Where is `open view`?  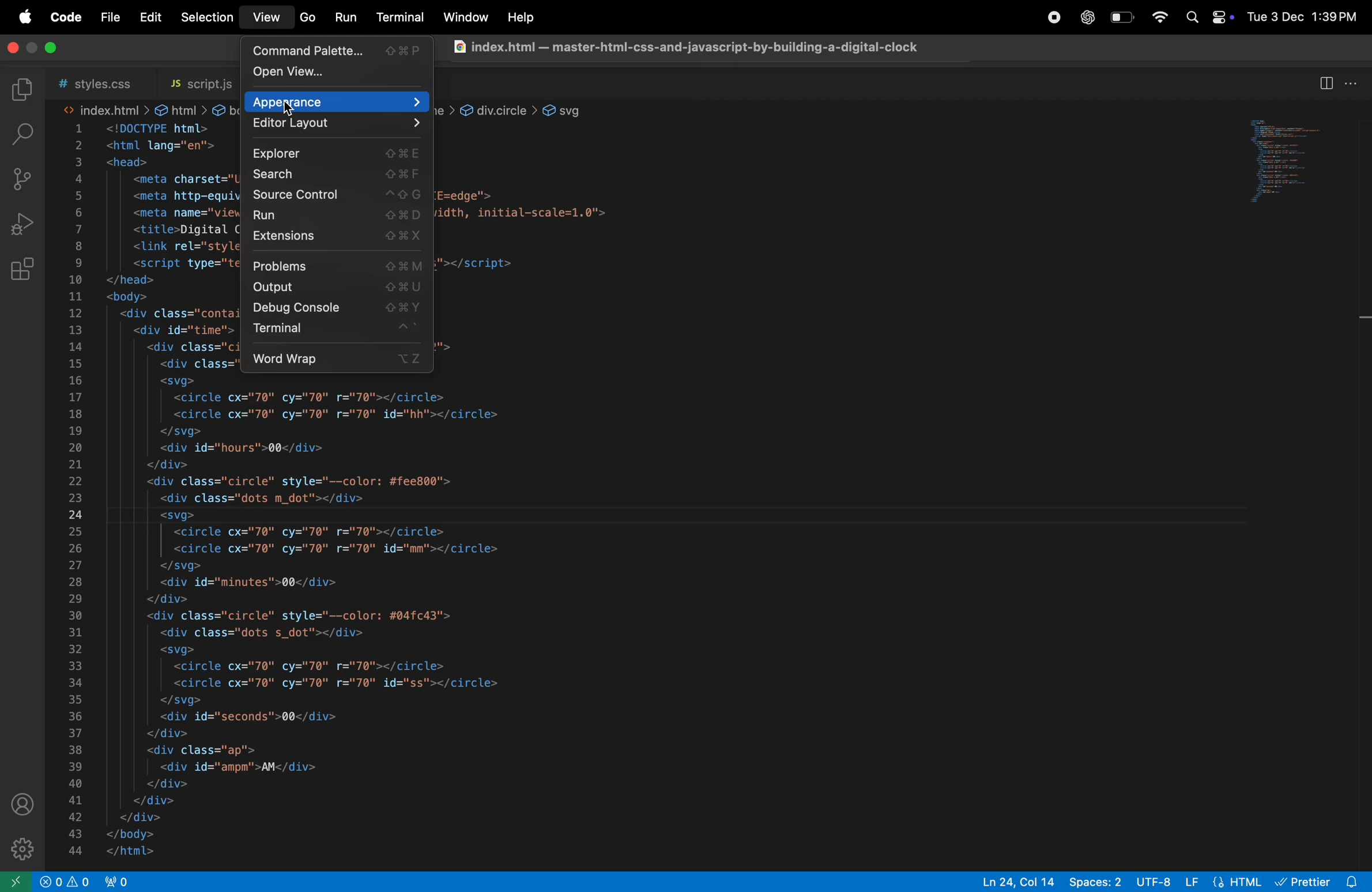 open view is located at coordinates (340, 74).